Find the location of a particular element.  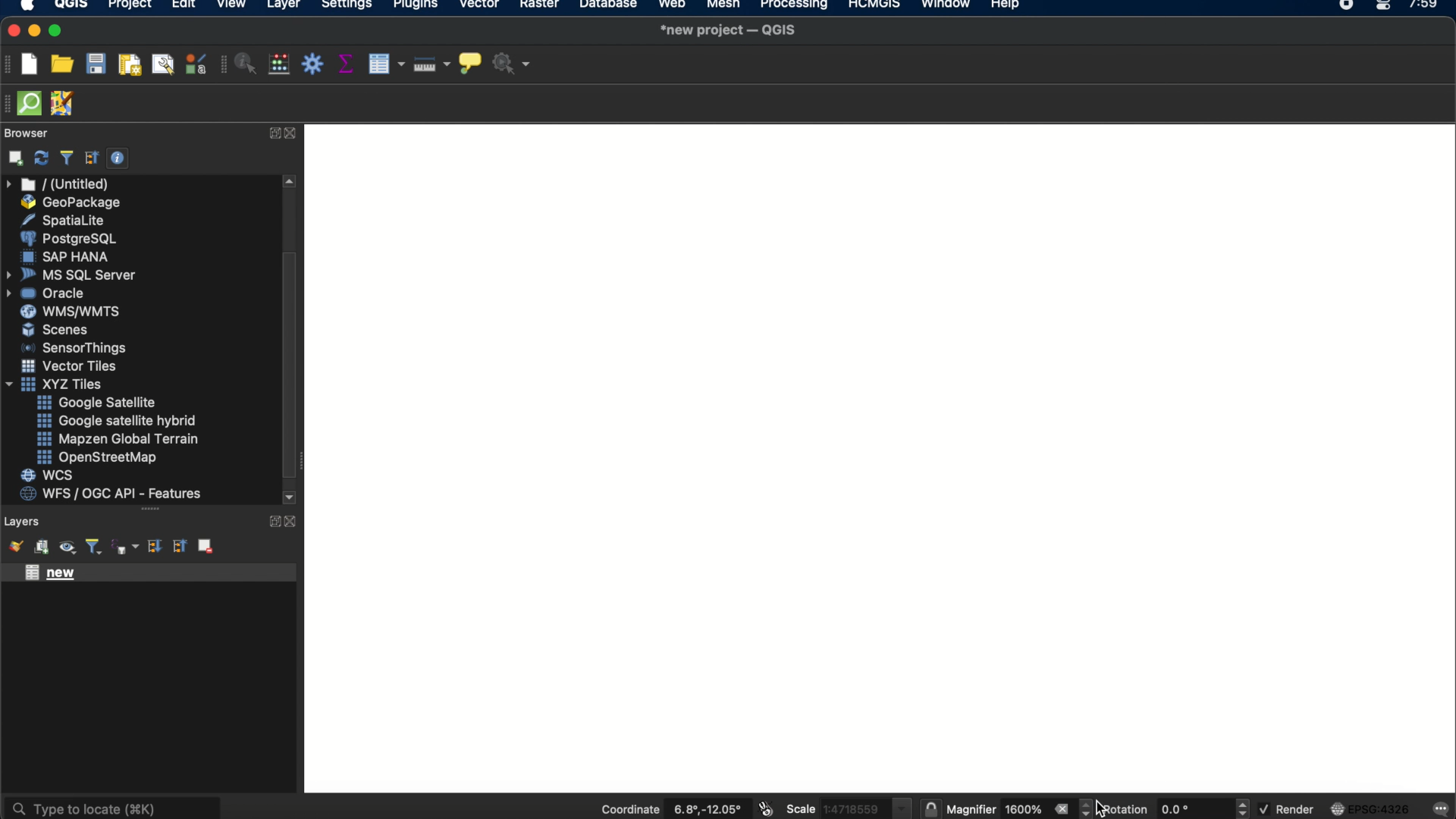

TOOLBOX is located at coordinates (313, 65).